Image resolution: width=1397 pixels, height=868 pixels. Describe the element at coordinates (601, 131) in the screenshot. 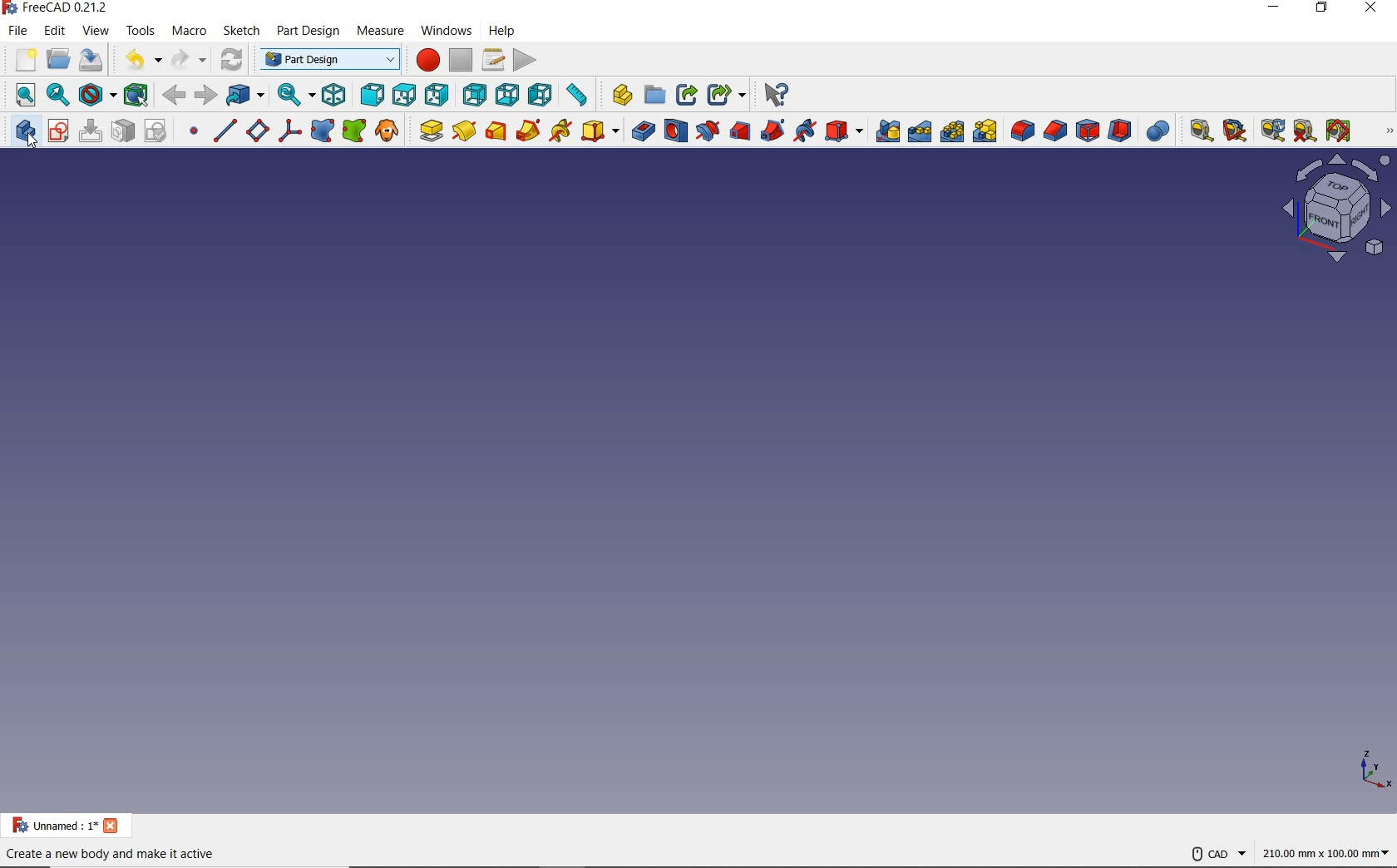

I see `CREATE AN ADDITIVE PRIMITIVE` at that location.